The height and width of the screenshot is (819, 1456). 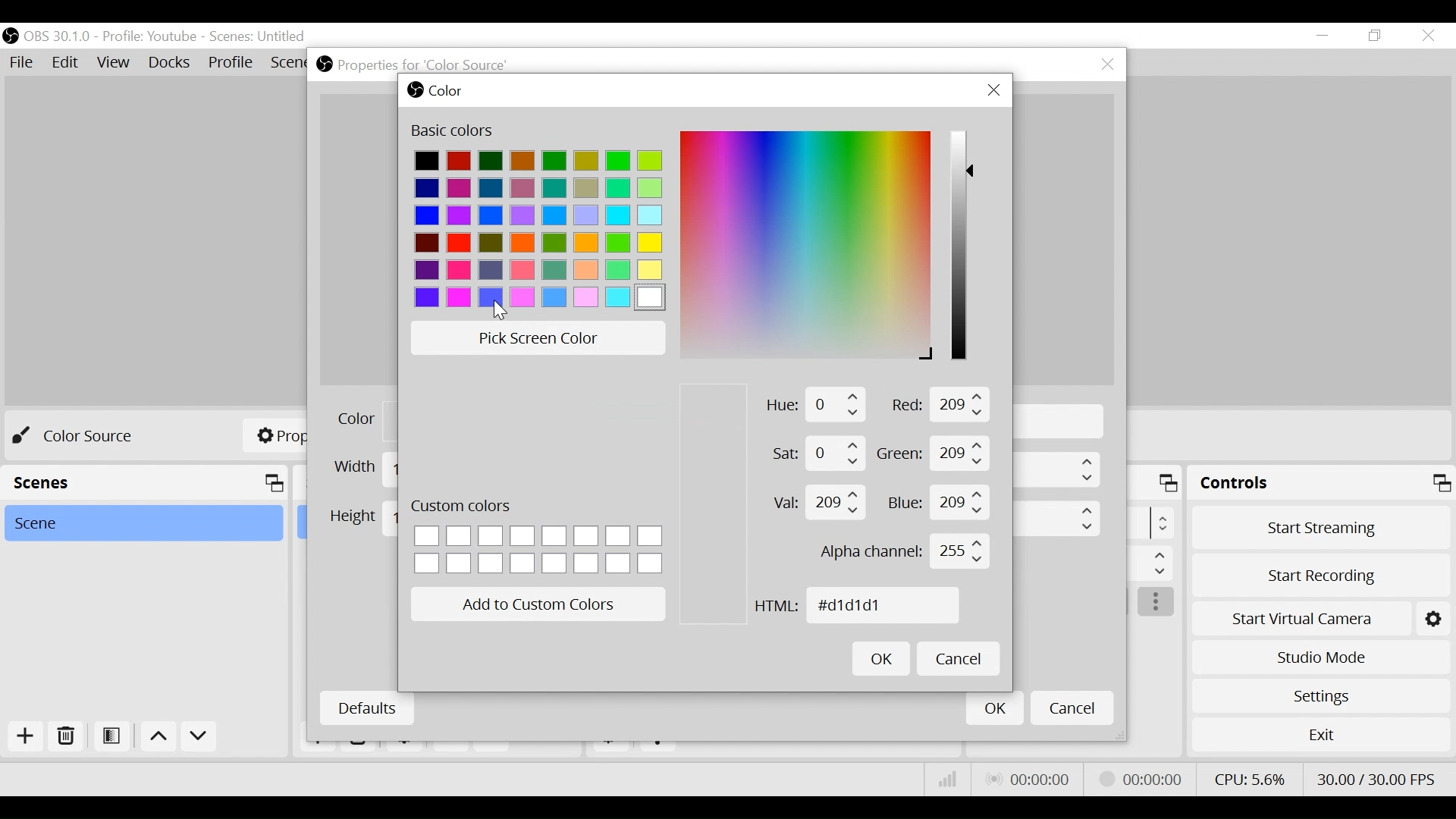 What do you see at coordinates (171, 63) in the screenshot?
I see `Docks` at bounding box center [171, 63].